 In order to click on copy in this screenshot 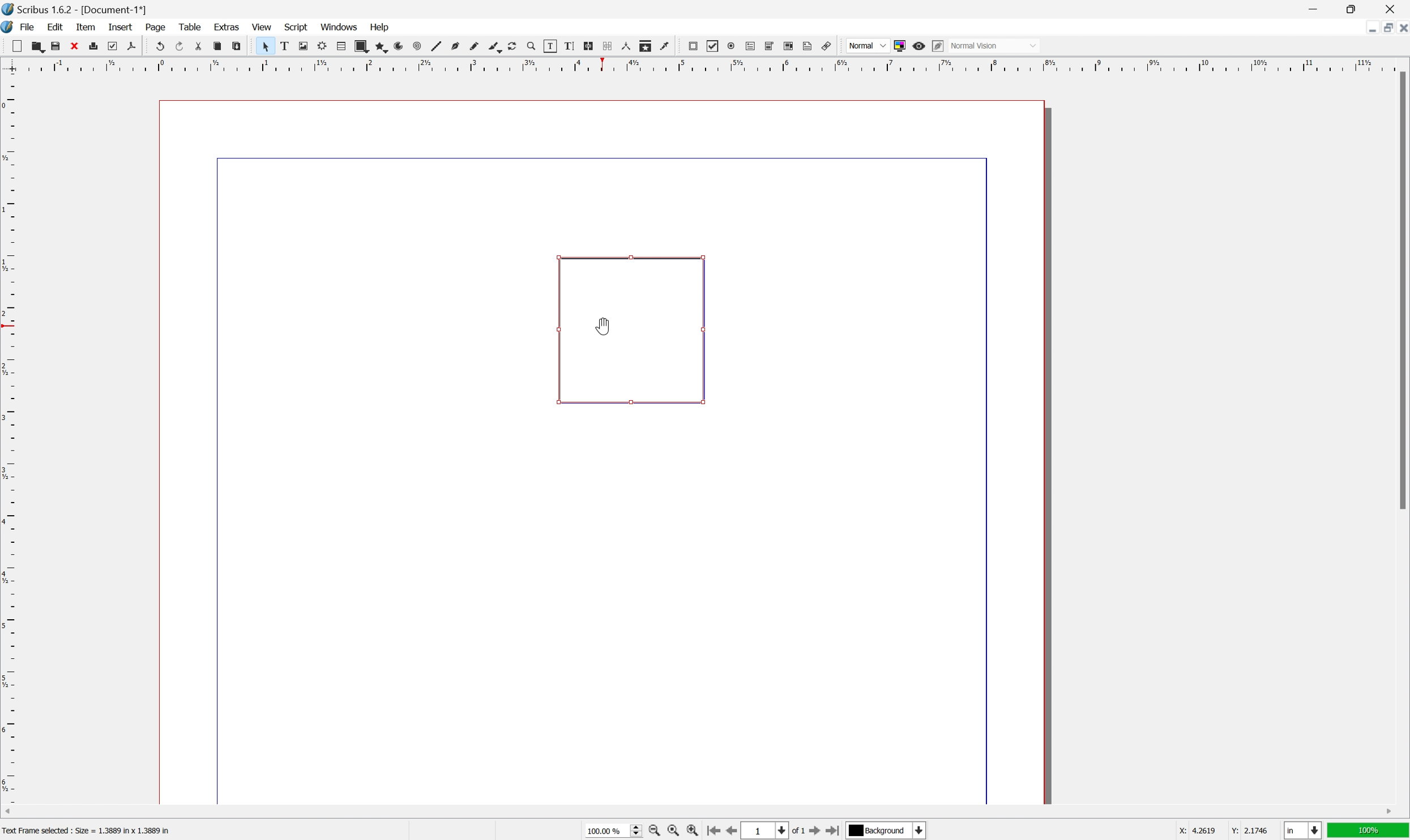, I will do `click(217, 46)`.